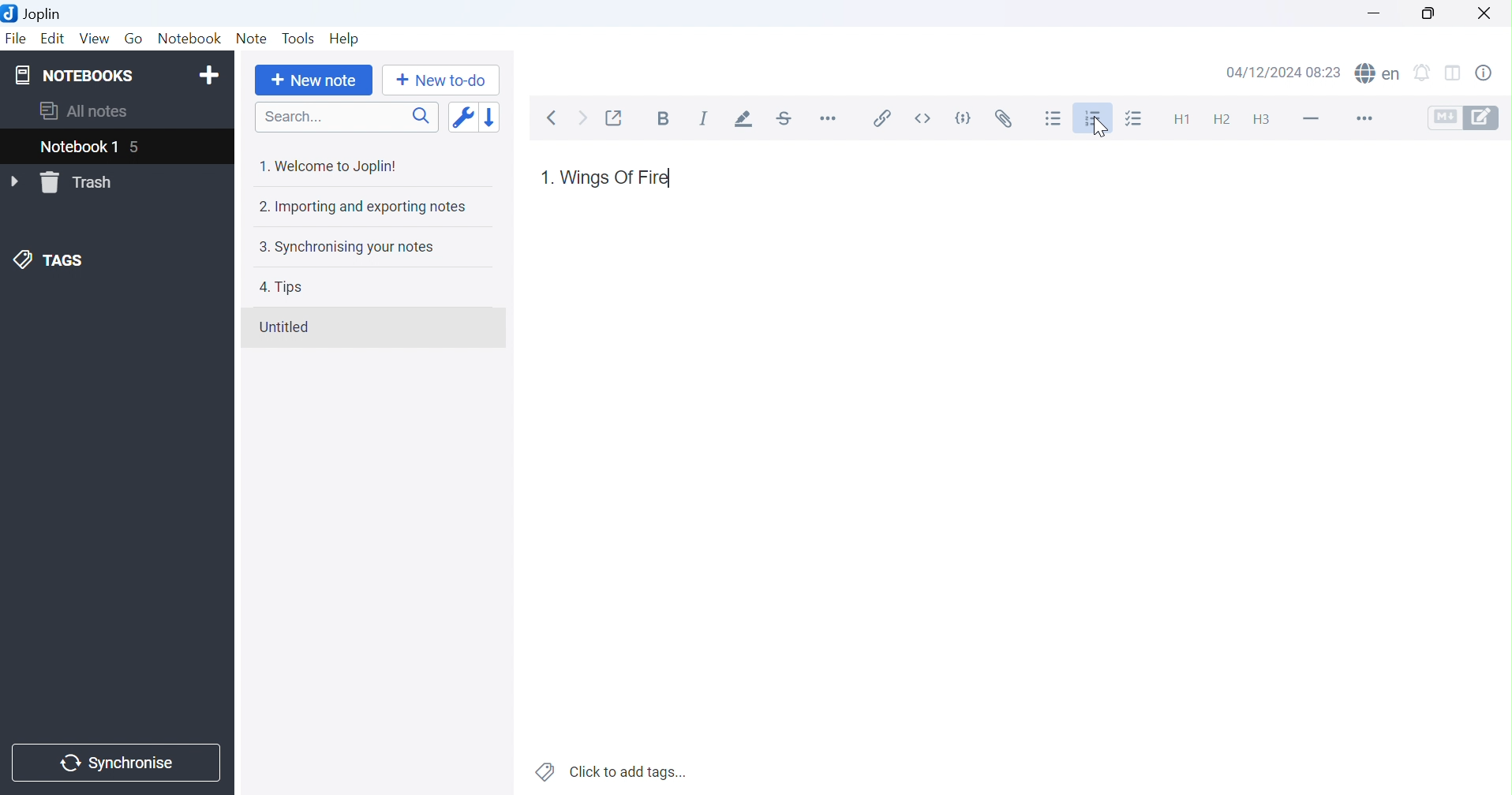 The height and width of the screenshot is (795, 1512). I want to click on Bold, so click(664, 118).